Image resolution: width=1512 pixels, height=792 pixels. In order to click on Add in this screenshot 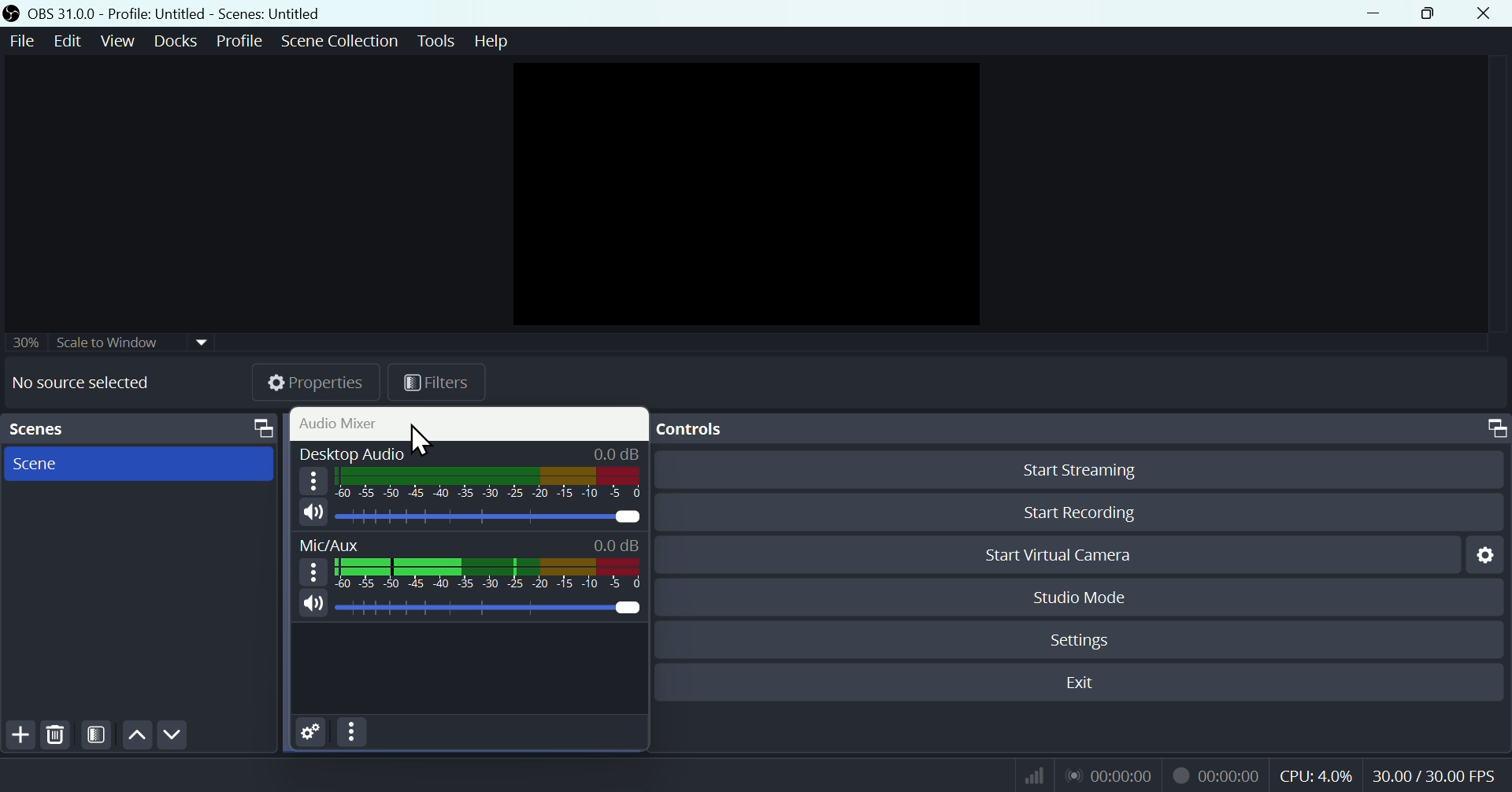, I will do `click(16, 735)`.